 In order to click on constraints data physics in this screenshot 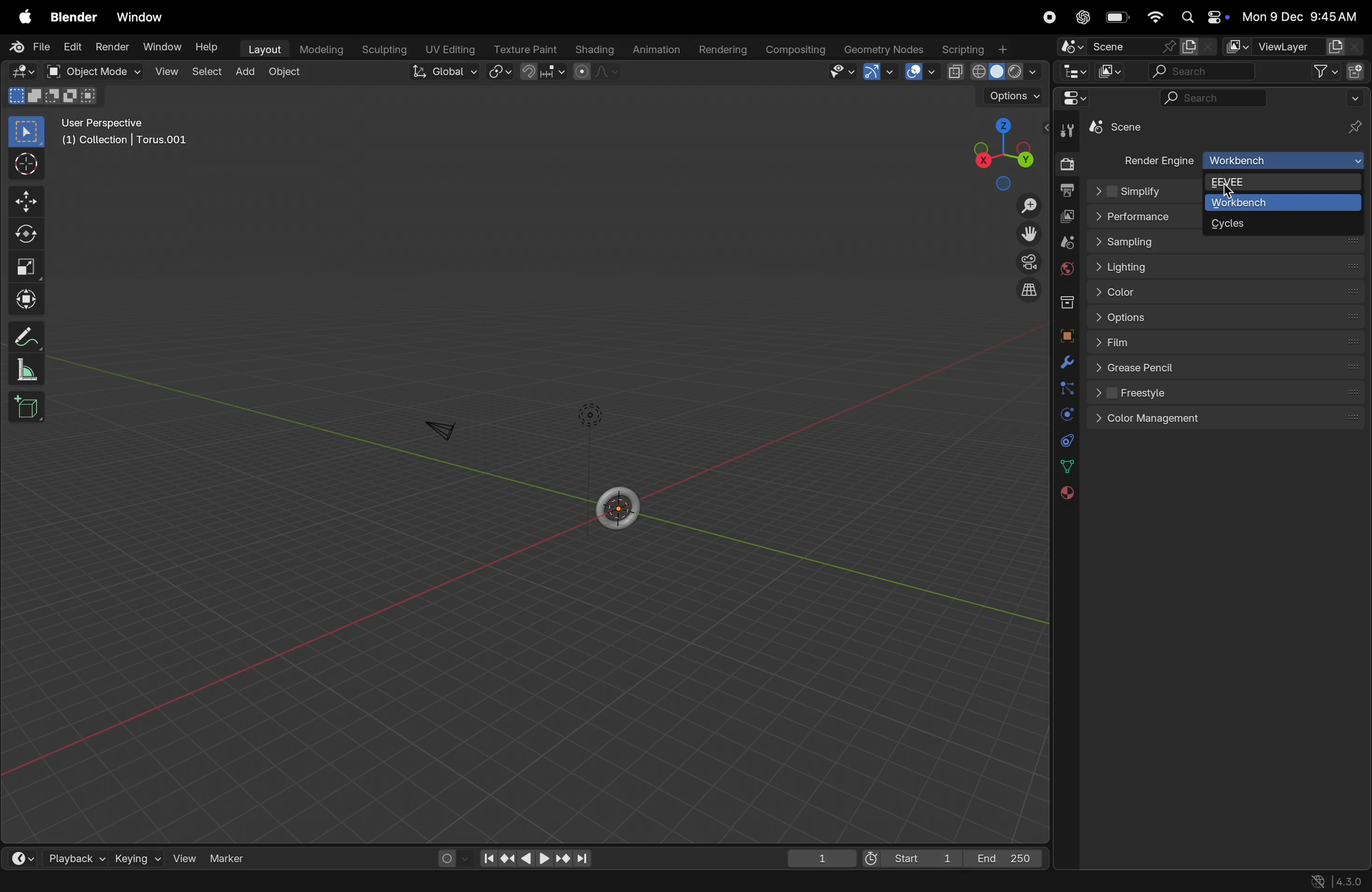, I will do `click(1064, 440)`.